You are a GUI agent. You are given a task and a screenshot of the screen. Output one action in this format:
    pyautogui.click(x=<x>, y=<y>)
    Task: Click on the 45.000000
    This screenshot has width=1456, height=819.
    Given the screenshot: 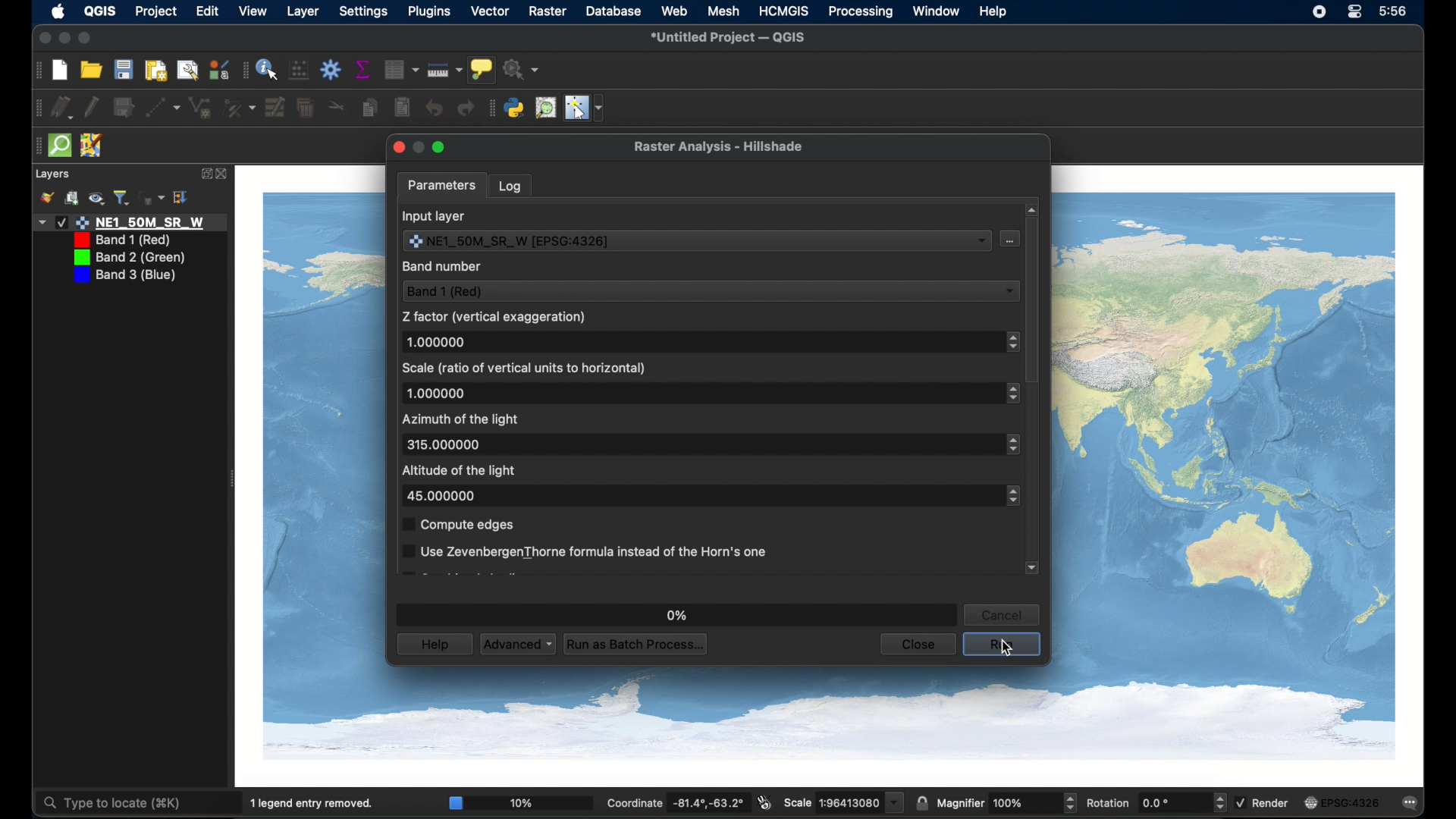 What is the action you would take?
    pyautogui.click(x=445, y=497)
    